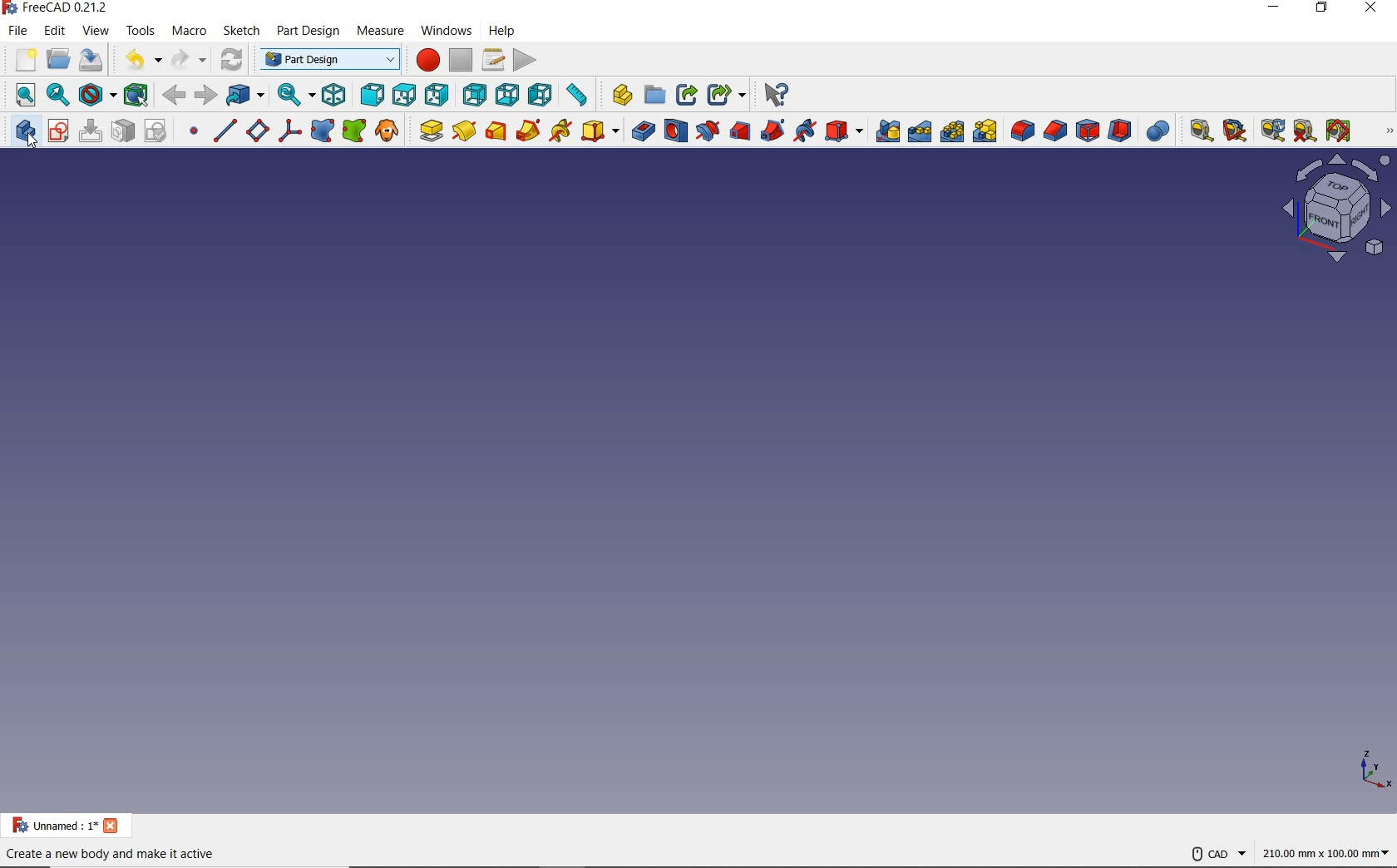 The height and width of the screenshot is (868, 1397). What do you see at coordinates (325, 59) in the screenshot?
I see `part design` at bounding box center [325, 59].